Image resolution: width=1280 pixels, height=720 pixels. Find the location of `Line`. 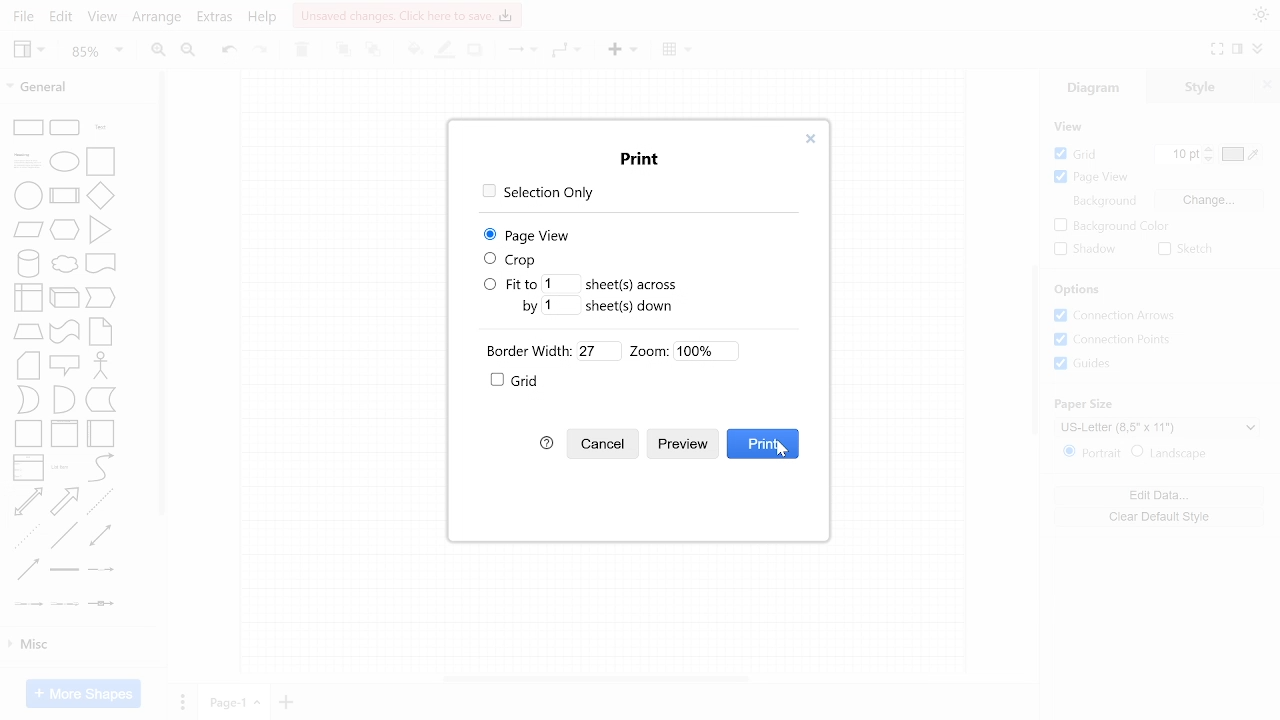

Line is located at coordinates (521, 51).